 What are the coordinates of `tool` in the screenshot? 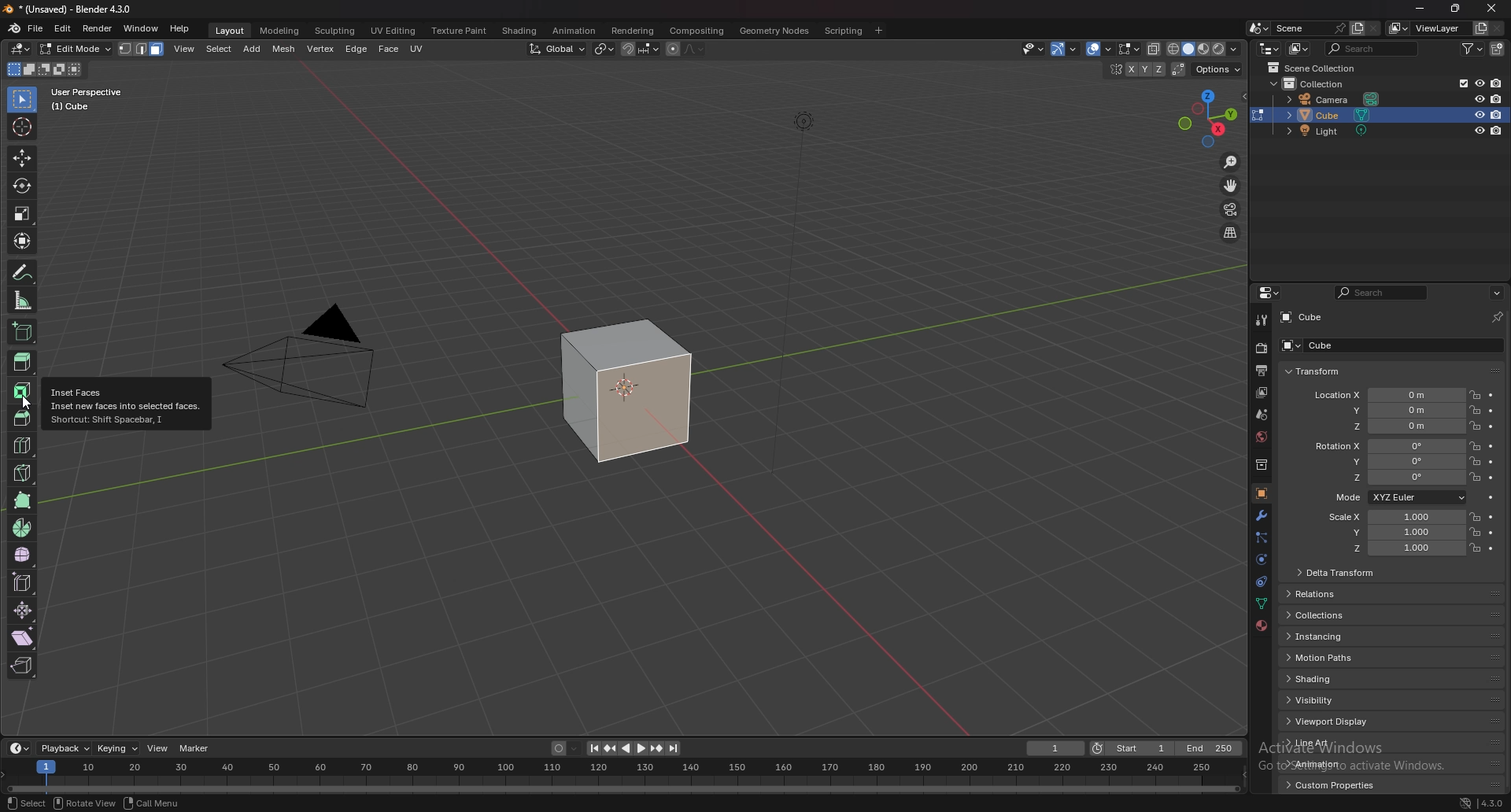 It's located at (1261, 319).